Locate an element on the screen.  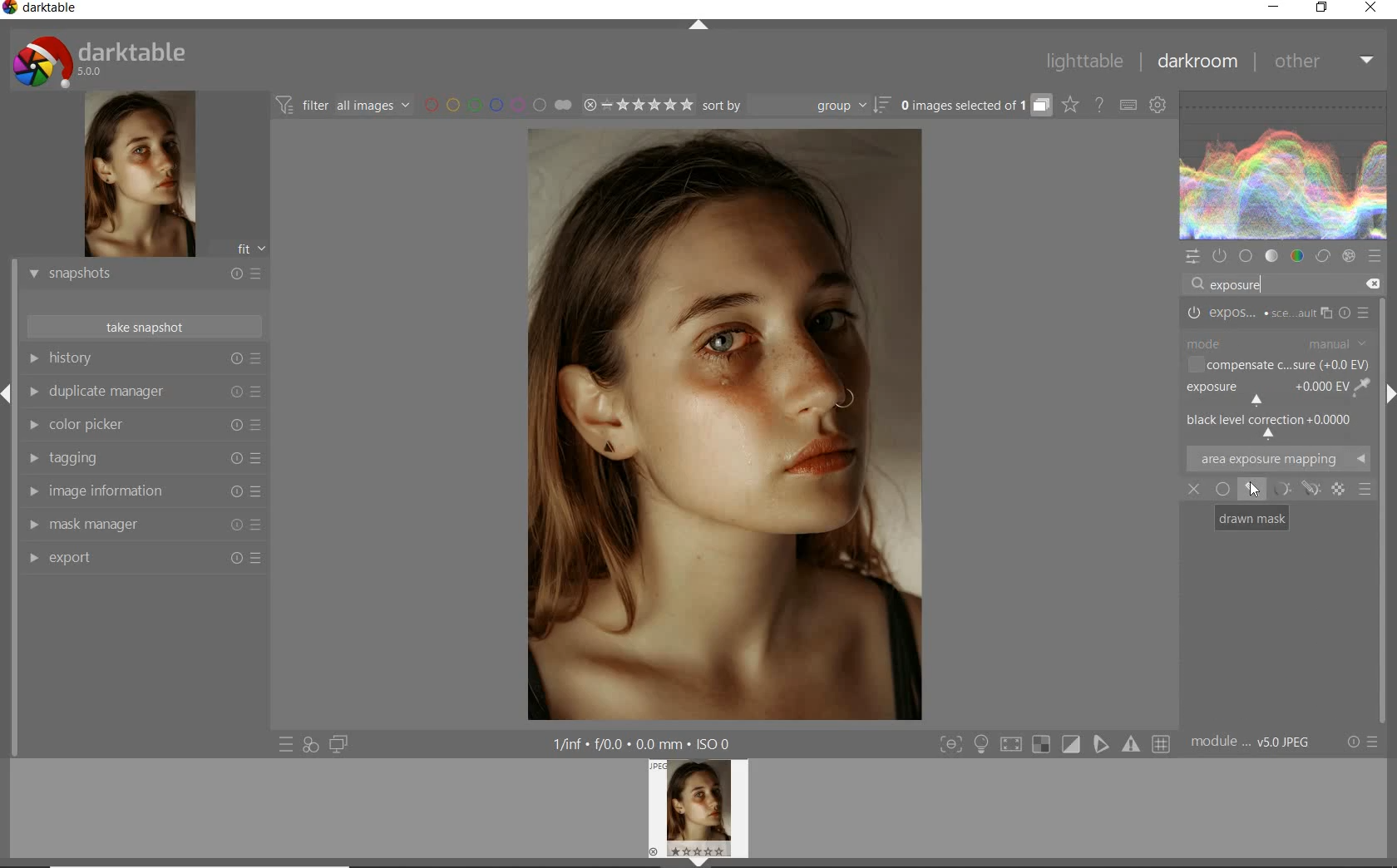
other is located at coordinates (1320, 62).